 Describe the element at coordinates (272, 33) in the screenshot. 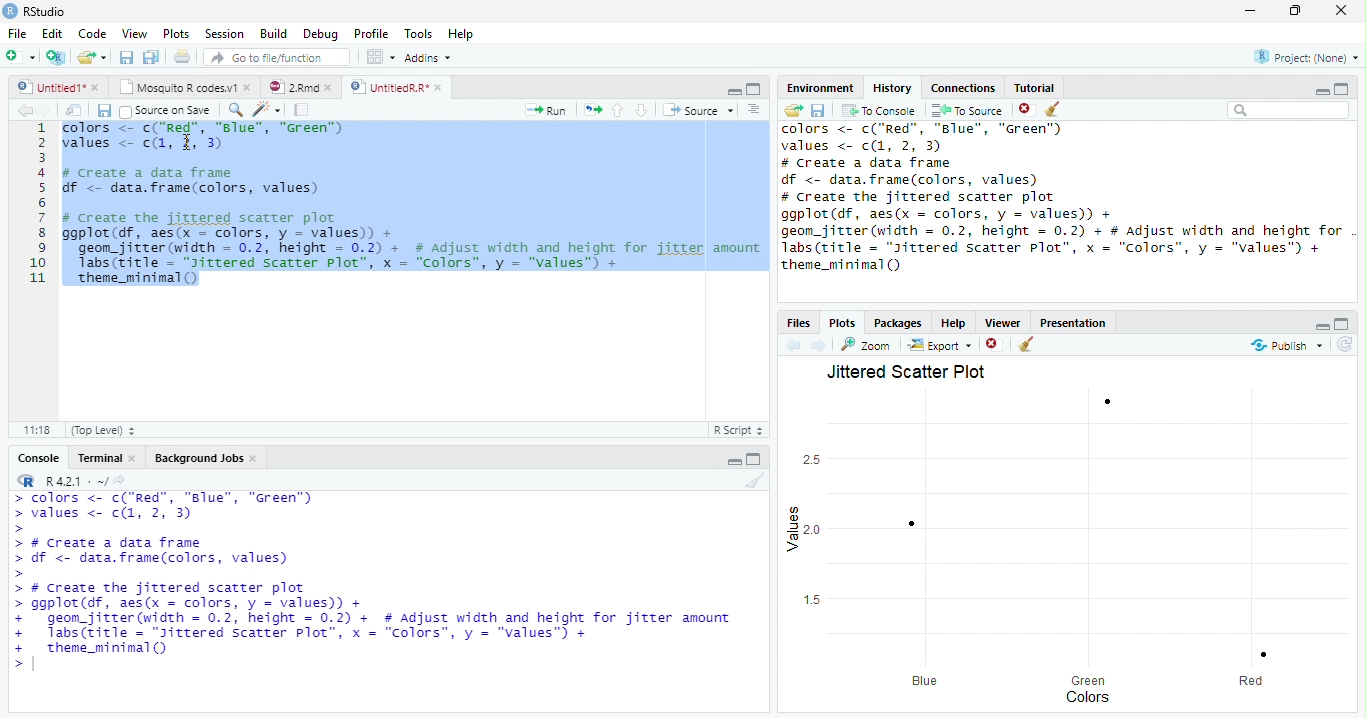

I see `Build` at that location.